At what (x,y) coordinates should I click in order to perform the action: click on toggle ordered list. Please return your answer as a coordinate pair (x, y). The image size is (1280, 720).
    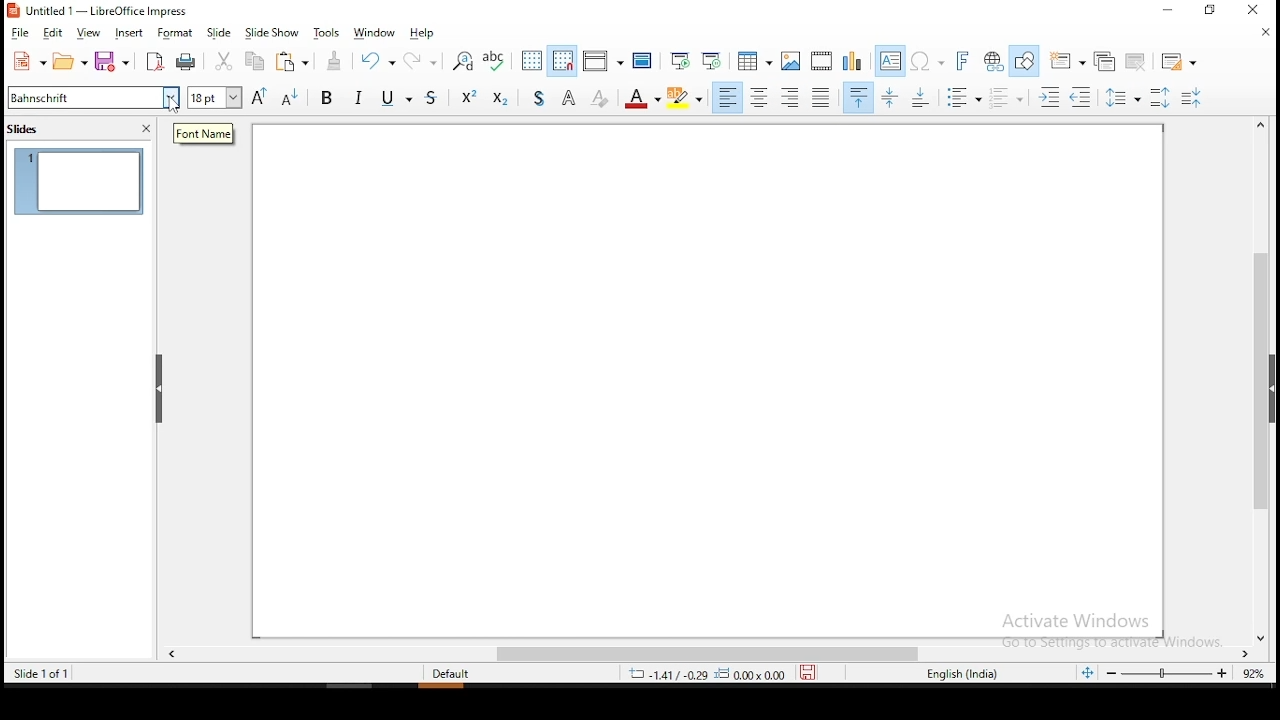
    Looking at the image, I should click on (1191, 97).